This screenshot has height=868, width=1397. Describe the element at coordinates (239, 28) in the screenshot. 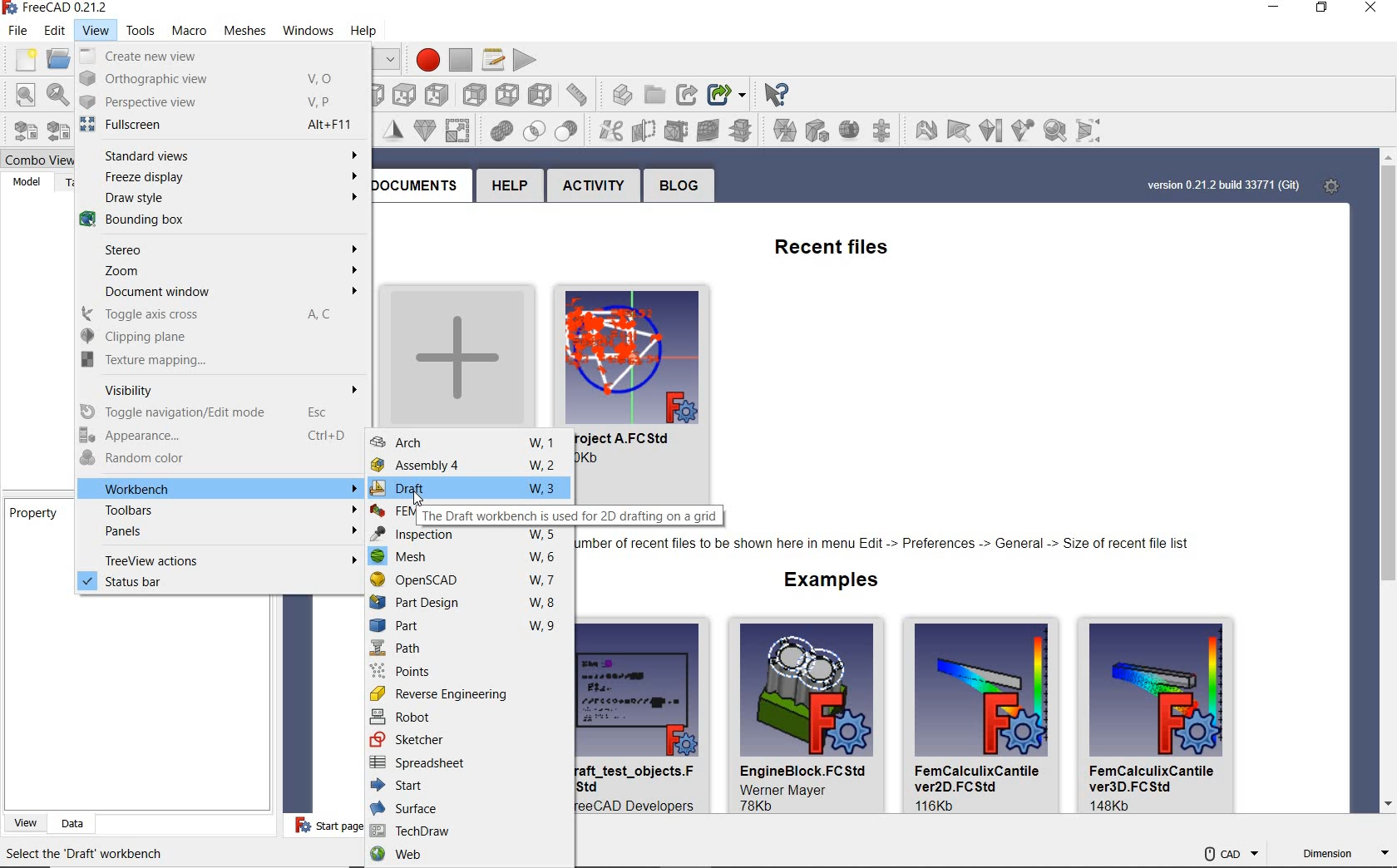

I see `meshes` at that location.